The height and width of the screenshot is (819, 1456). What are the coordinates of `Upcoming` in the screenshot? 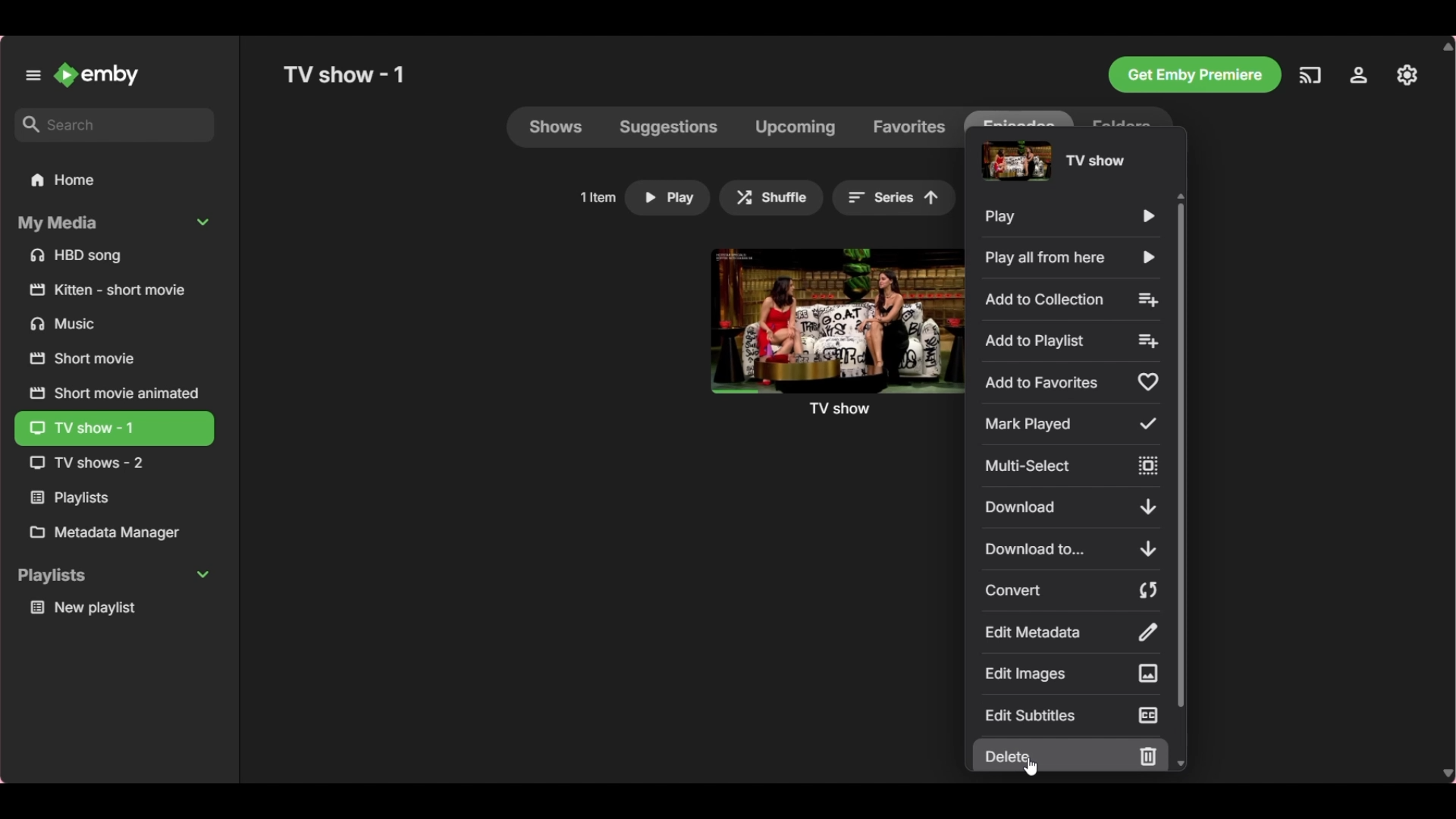 It's located at (795, 127).